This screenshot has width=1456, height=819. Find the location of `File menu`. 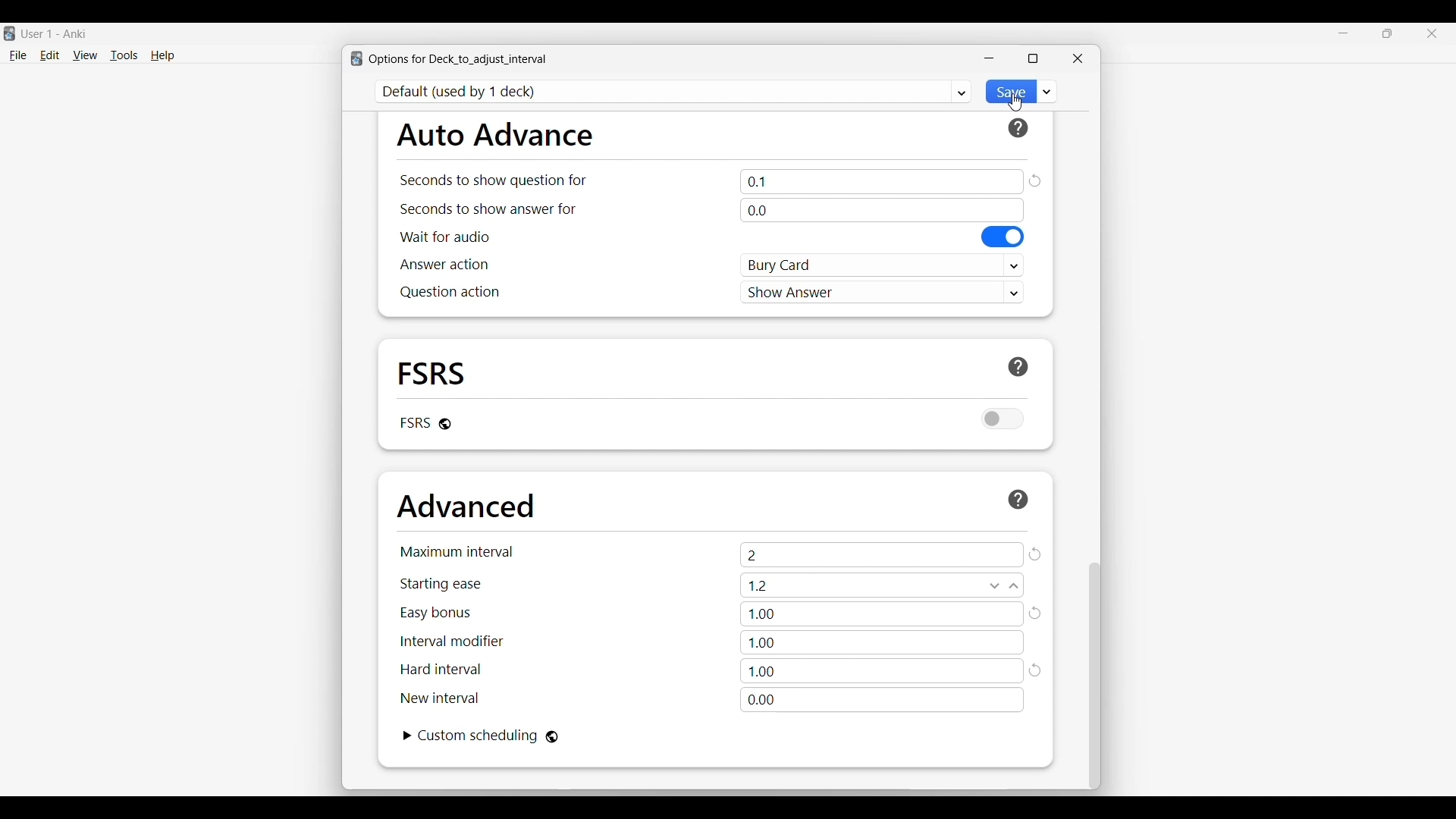

File menu is located at coordinates (17, 56).